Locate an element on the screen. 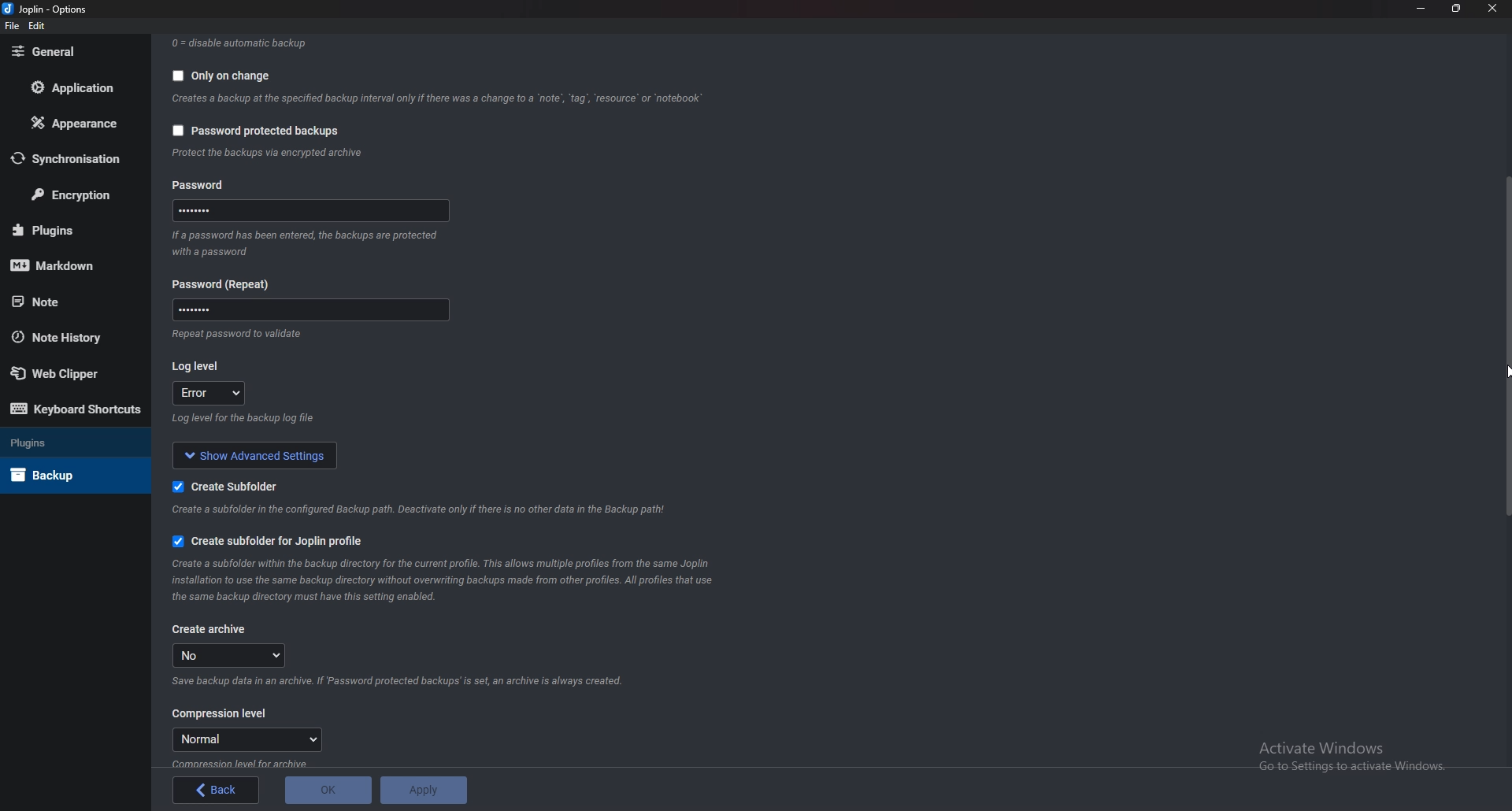 The width and height of the screenshot is (1512, 811). info is located at coordinates (438, 579).